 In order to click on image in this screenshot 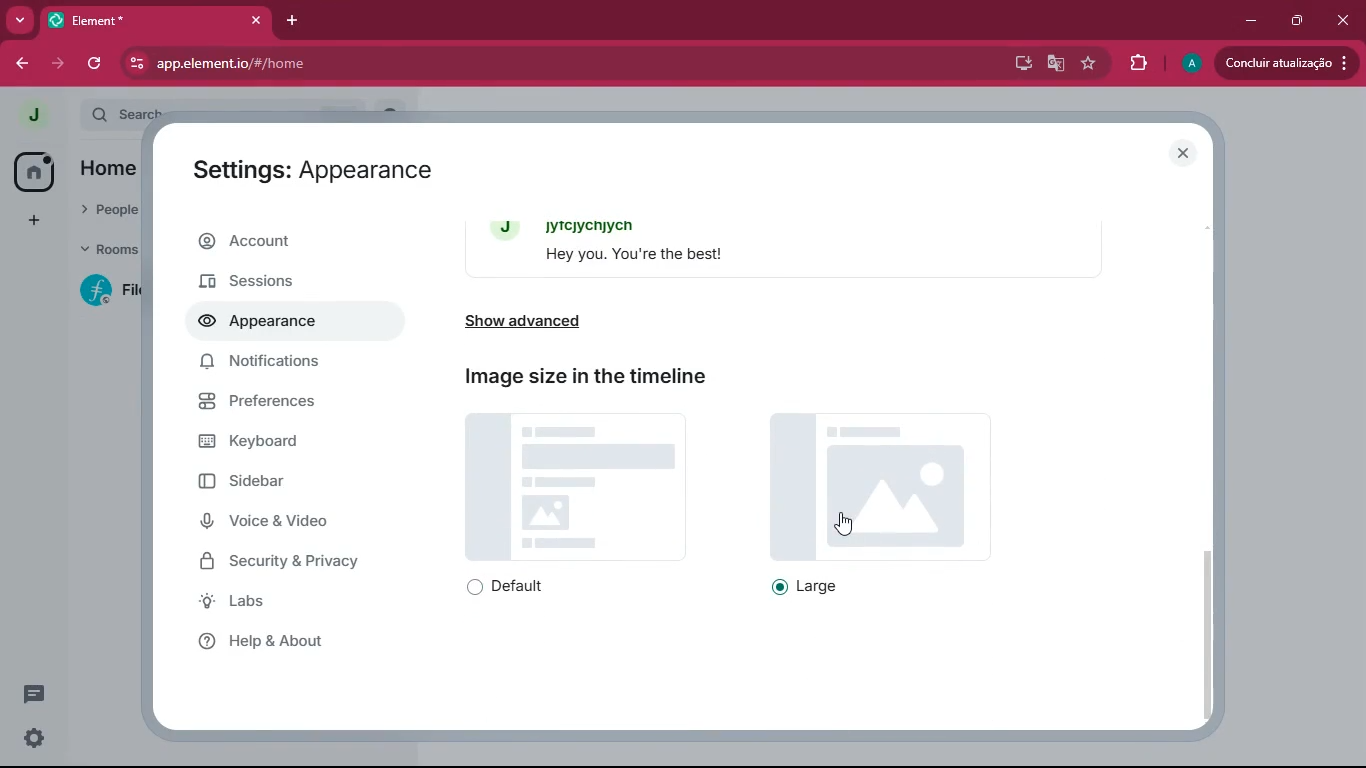, I will do `click(577, 485)`.